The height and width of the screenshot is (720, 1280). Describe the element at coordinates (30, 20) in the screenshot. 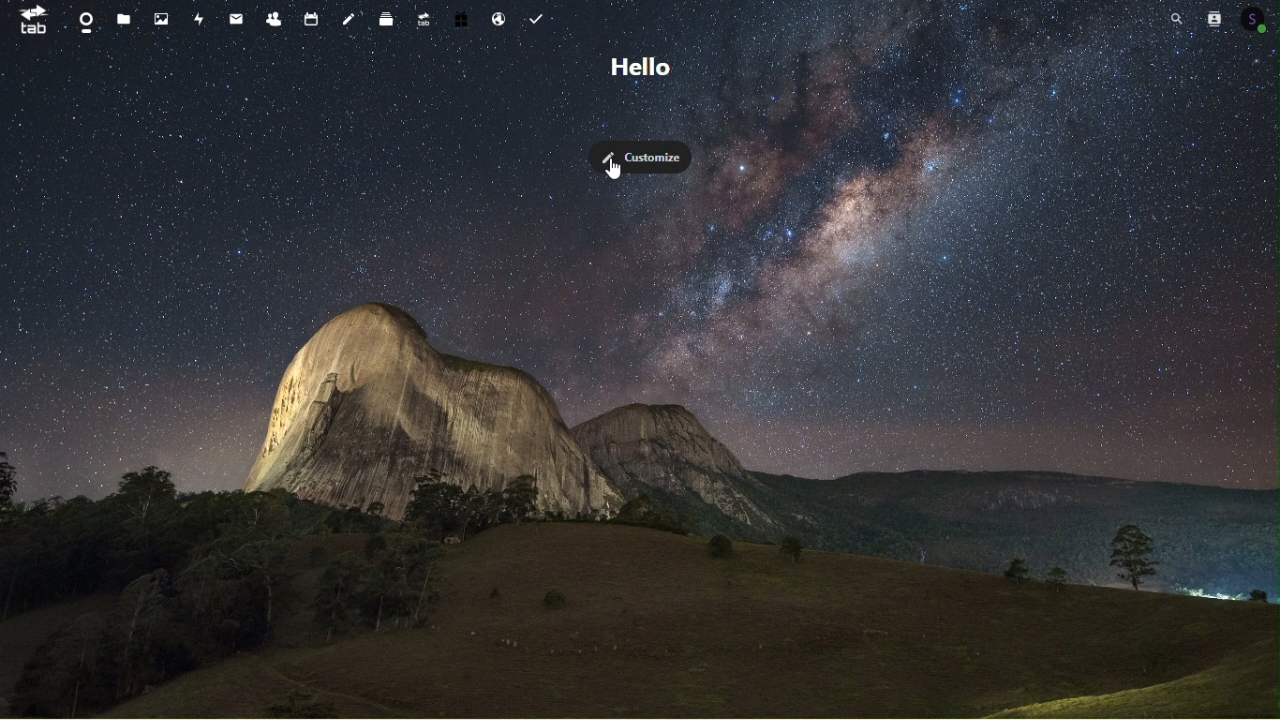

I see `tab` at that location.